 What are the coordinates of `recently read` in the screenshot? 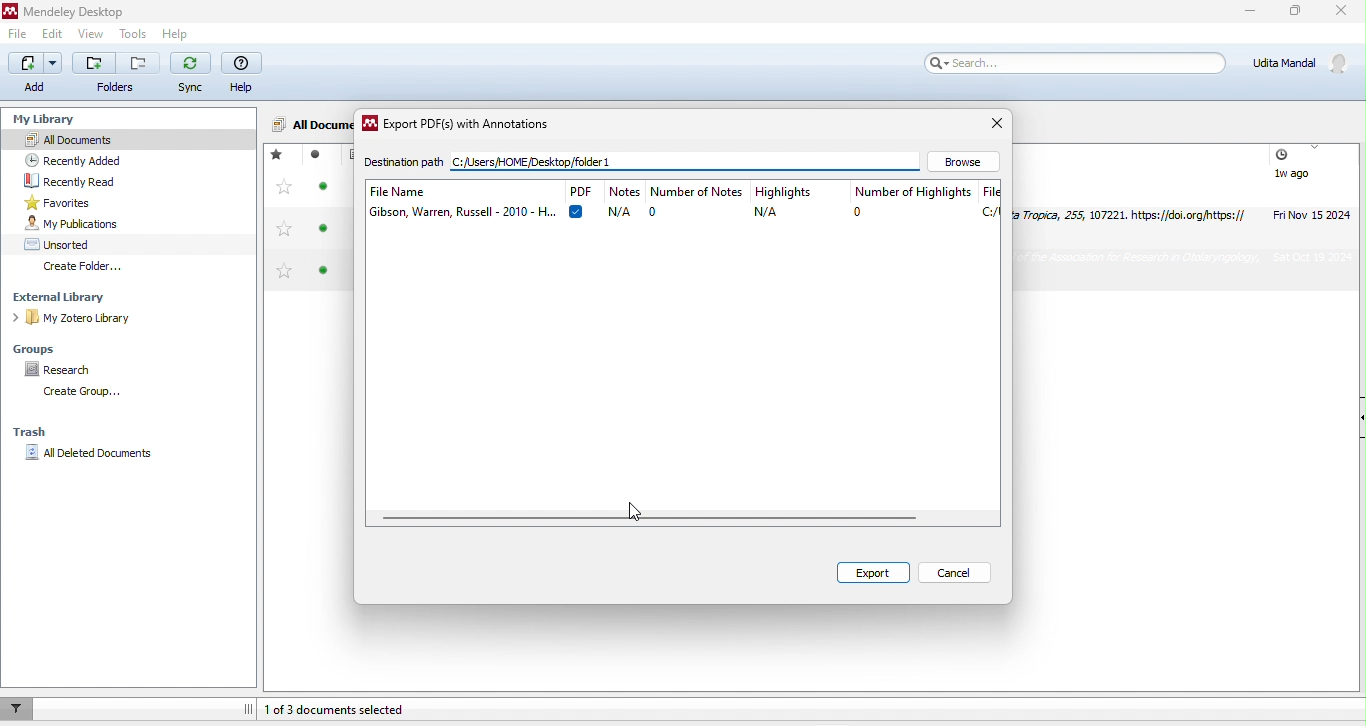 It's located at (88, 179).